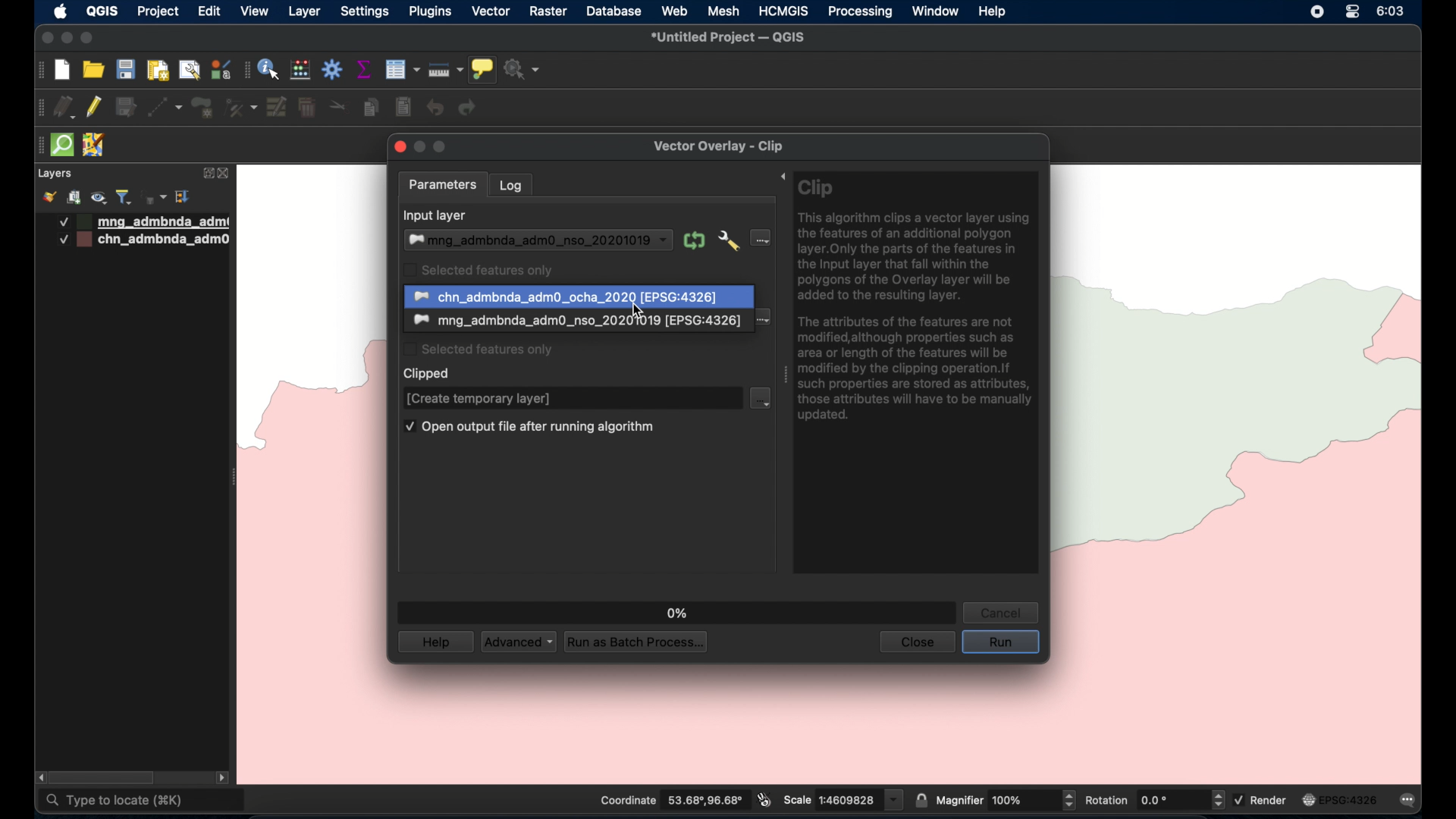 The width and height of the screenshot is (1456, 819). Describe the element at coordinates (482, 70) in the screenshot. I see `show map tips` at that location.